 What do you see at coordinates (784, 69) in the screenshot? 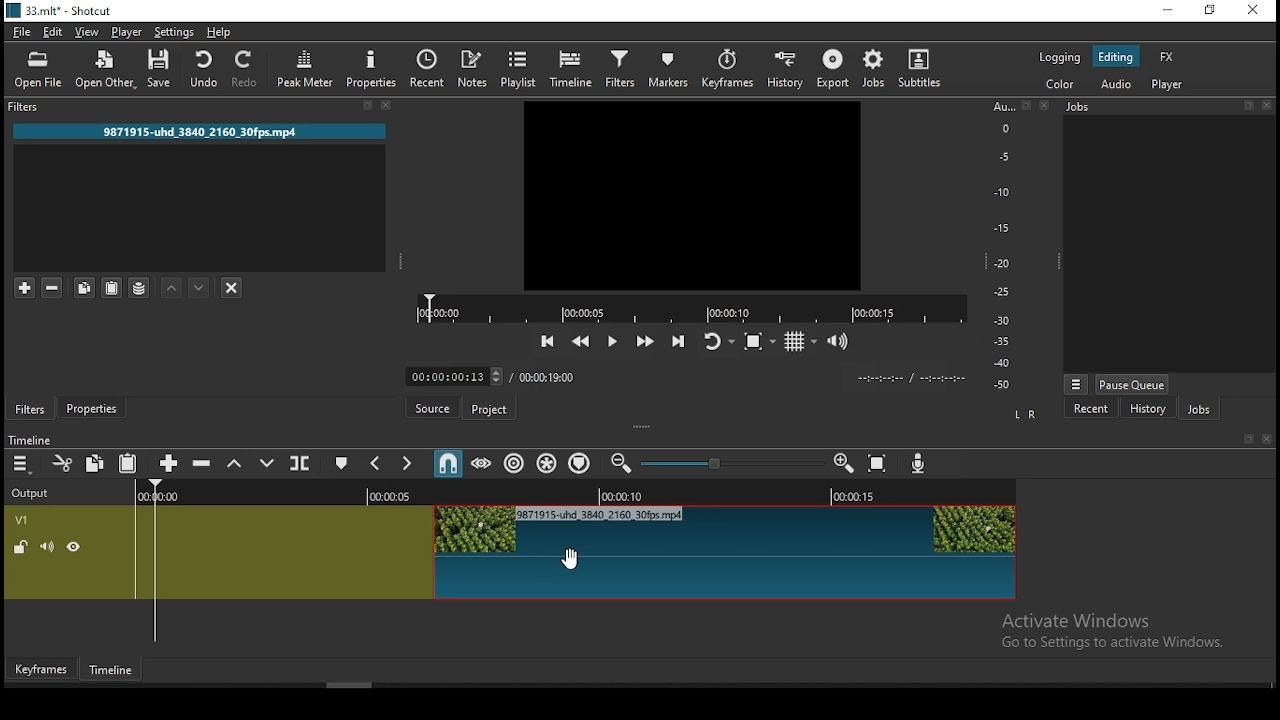
I see `history` at bounding box center [784, 69].